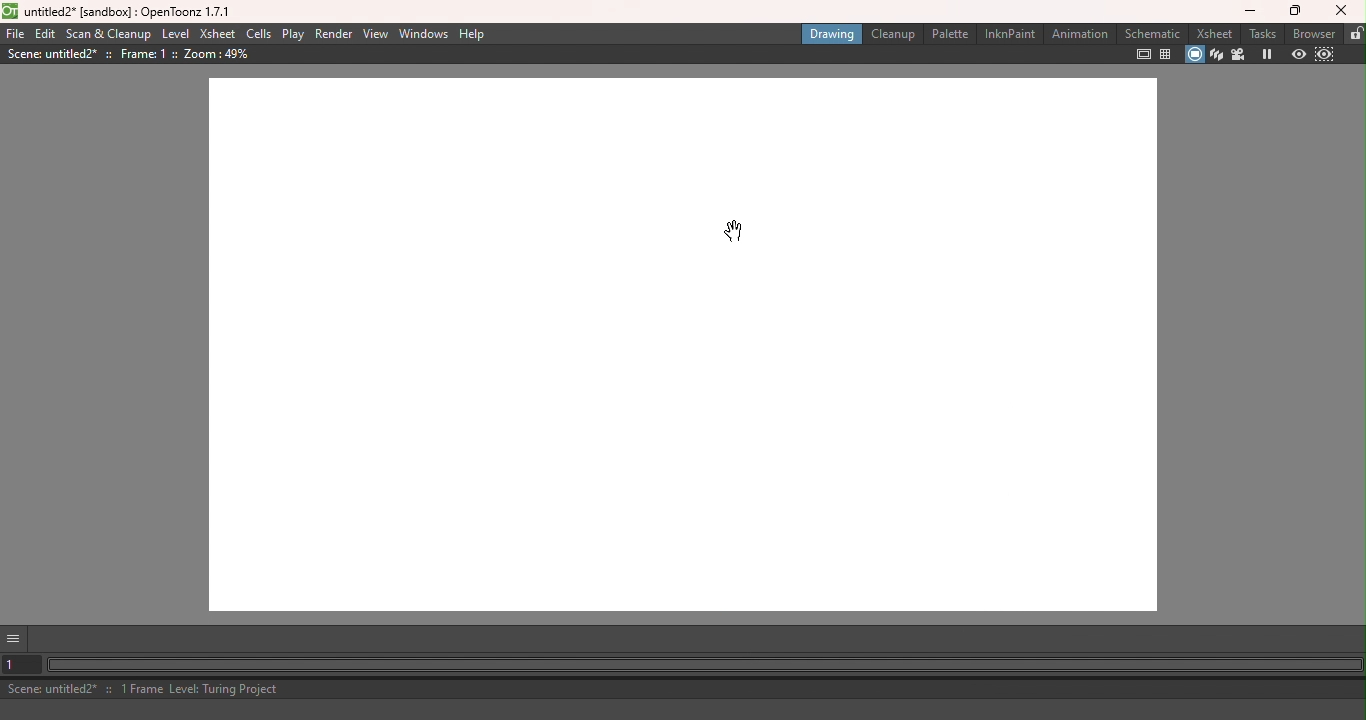  Describe the element at coordinates (1168, 56) in the screenshot. I see `Field guide` at that location.